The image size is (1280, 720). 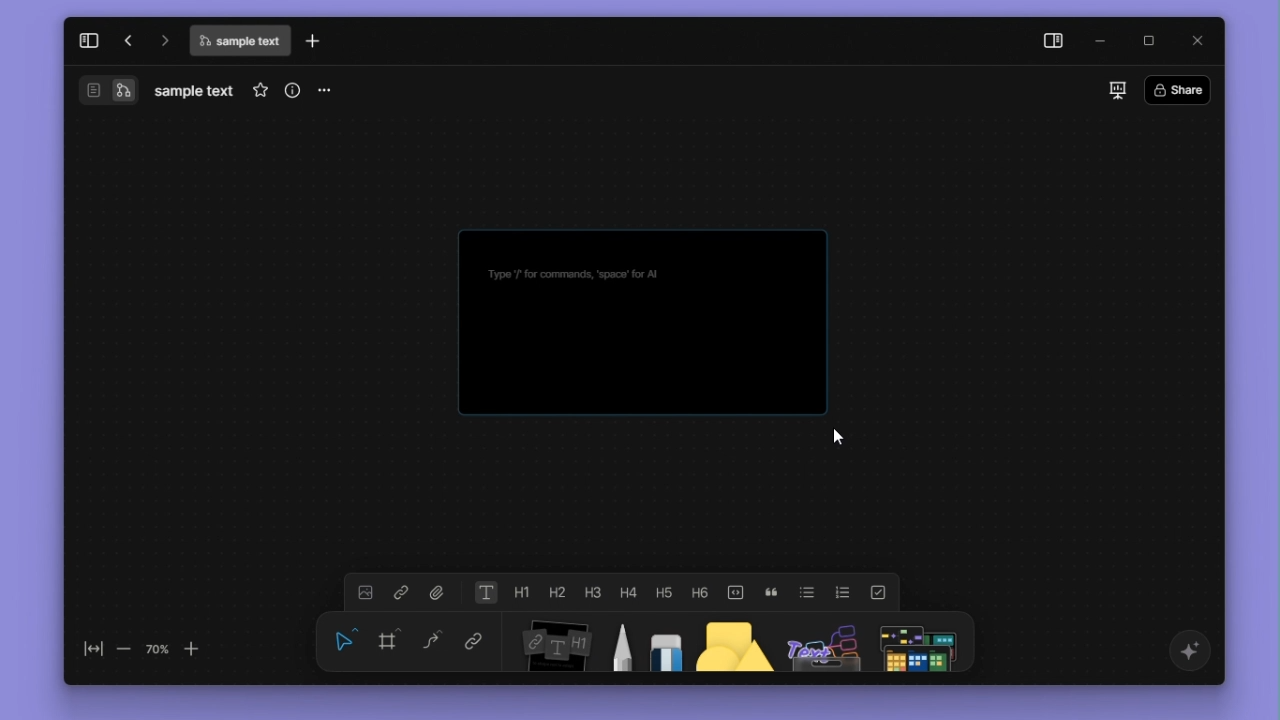 What do you see at coordinates (858, 442) in the screenshot?
I see `cursor` at bounding box center [858, 442].